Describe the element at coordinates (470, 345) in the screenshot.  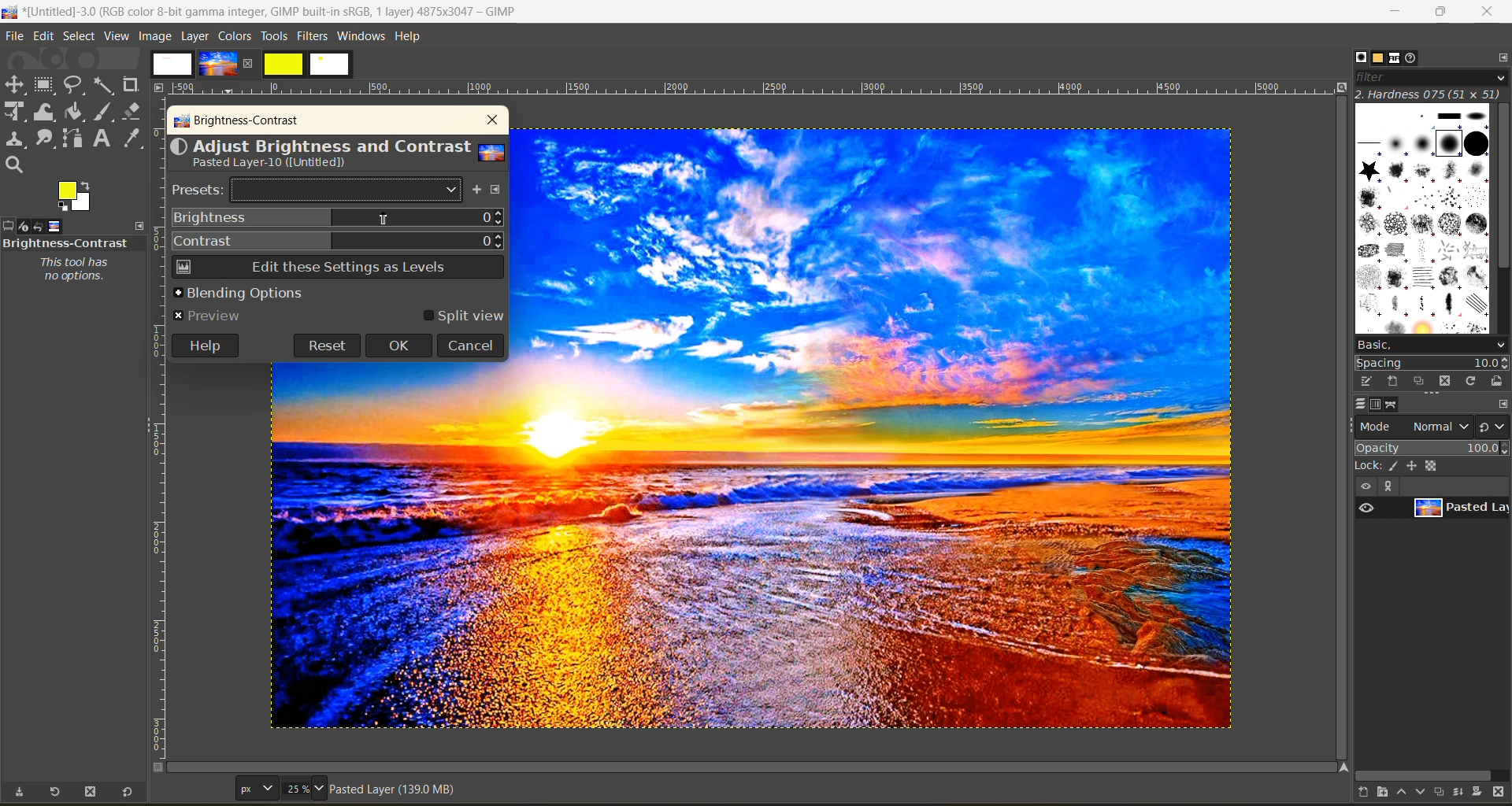
I see `cancel` at that location.